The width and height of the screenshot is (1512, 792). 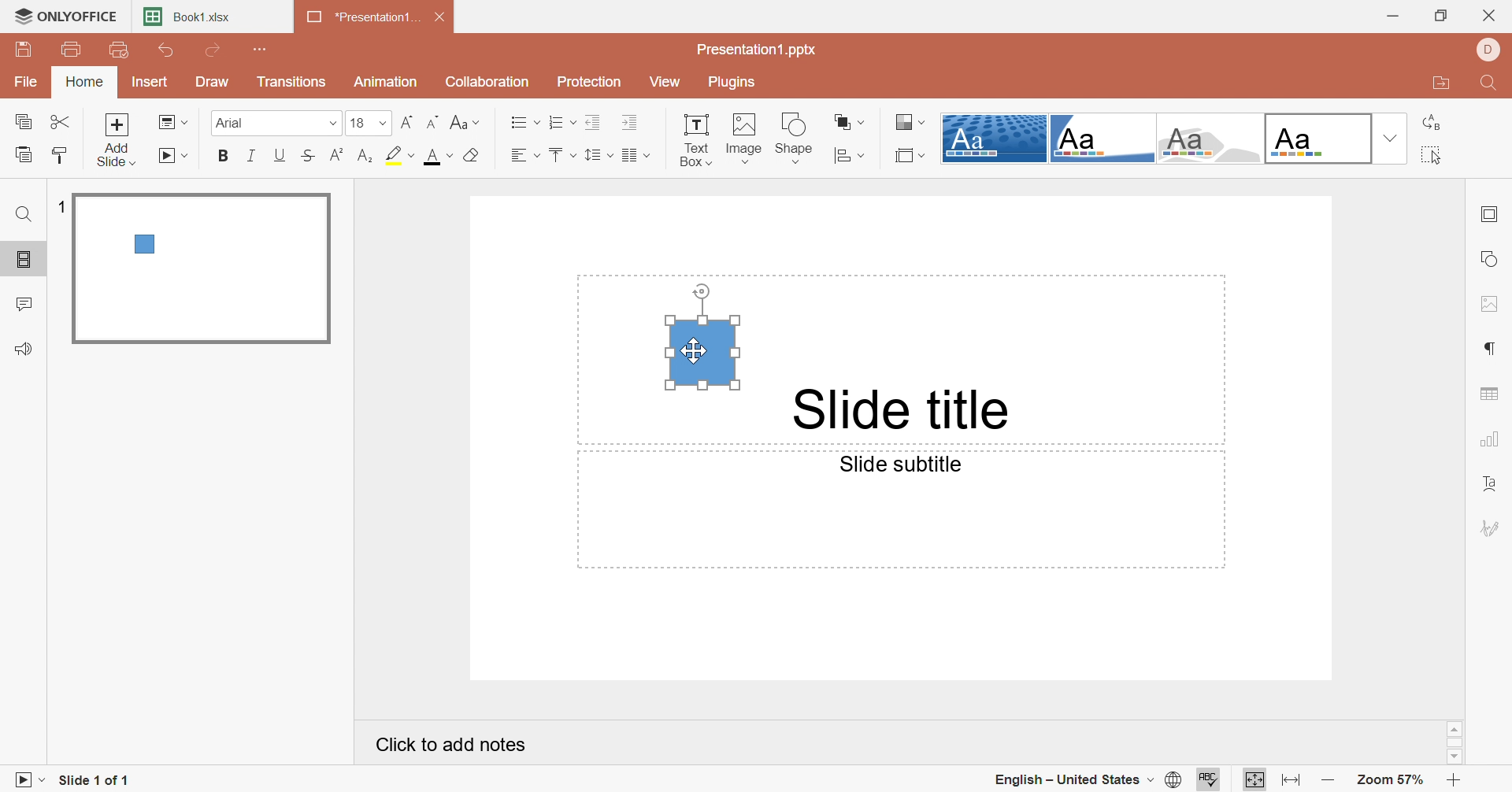 I want to click on Bold, so click(x=228, y=156).